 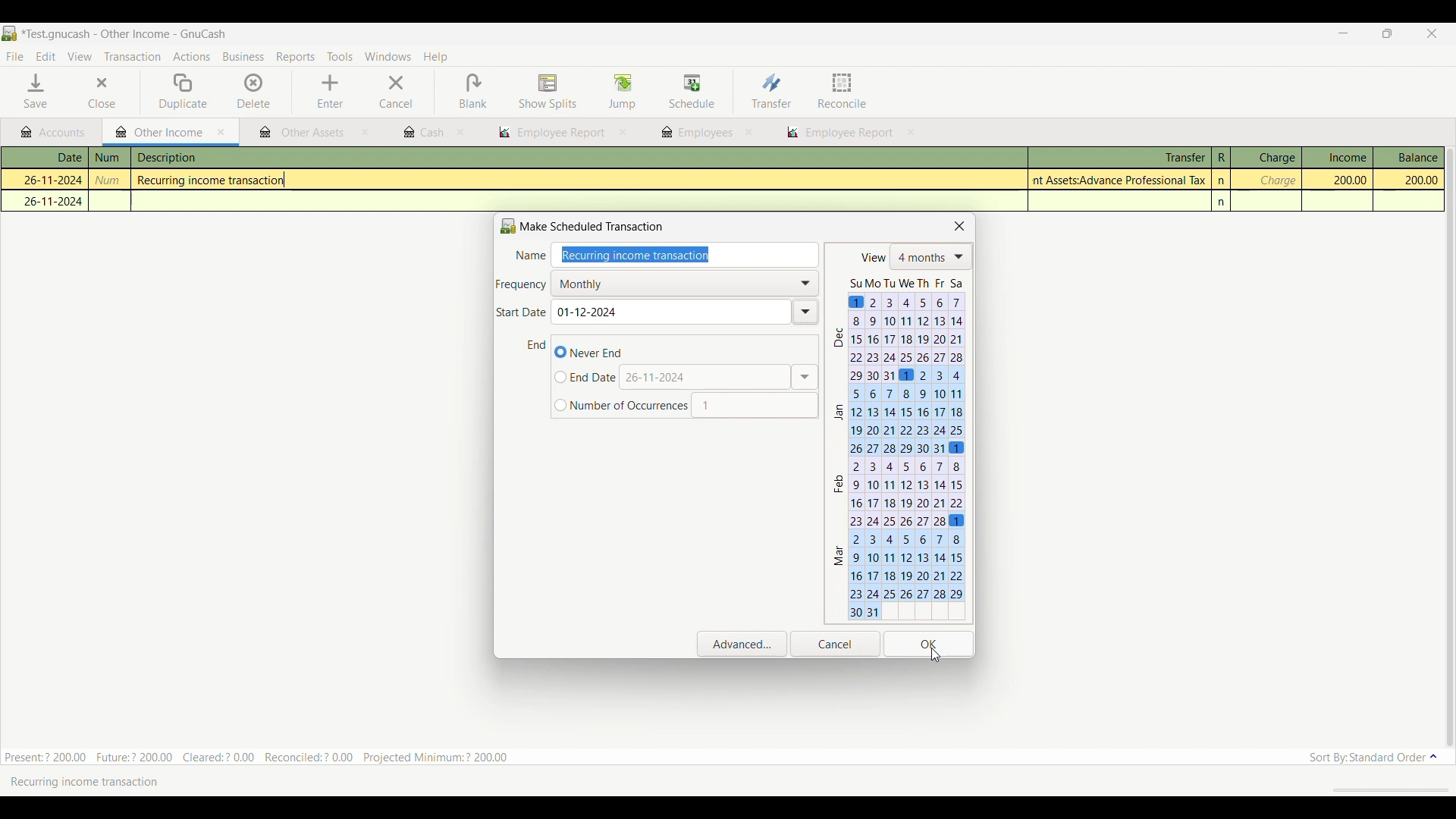 What do you see at coordinates (365, 134) in the screenshot?
I see `close` at bounding box center [365, 134].